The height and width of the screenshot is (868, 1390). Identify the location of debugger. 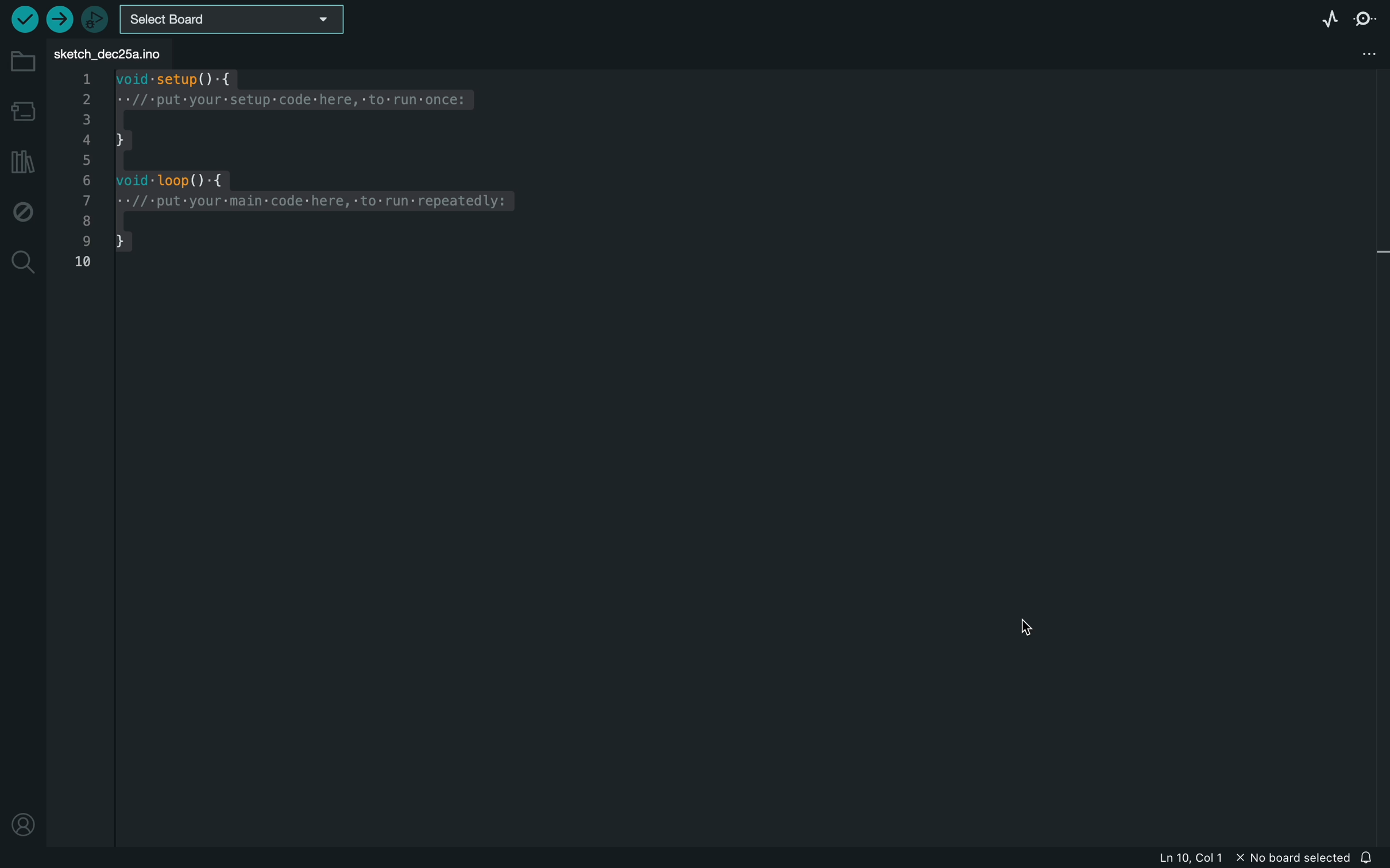
(94, 19).